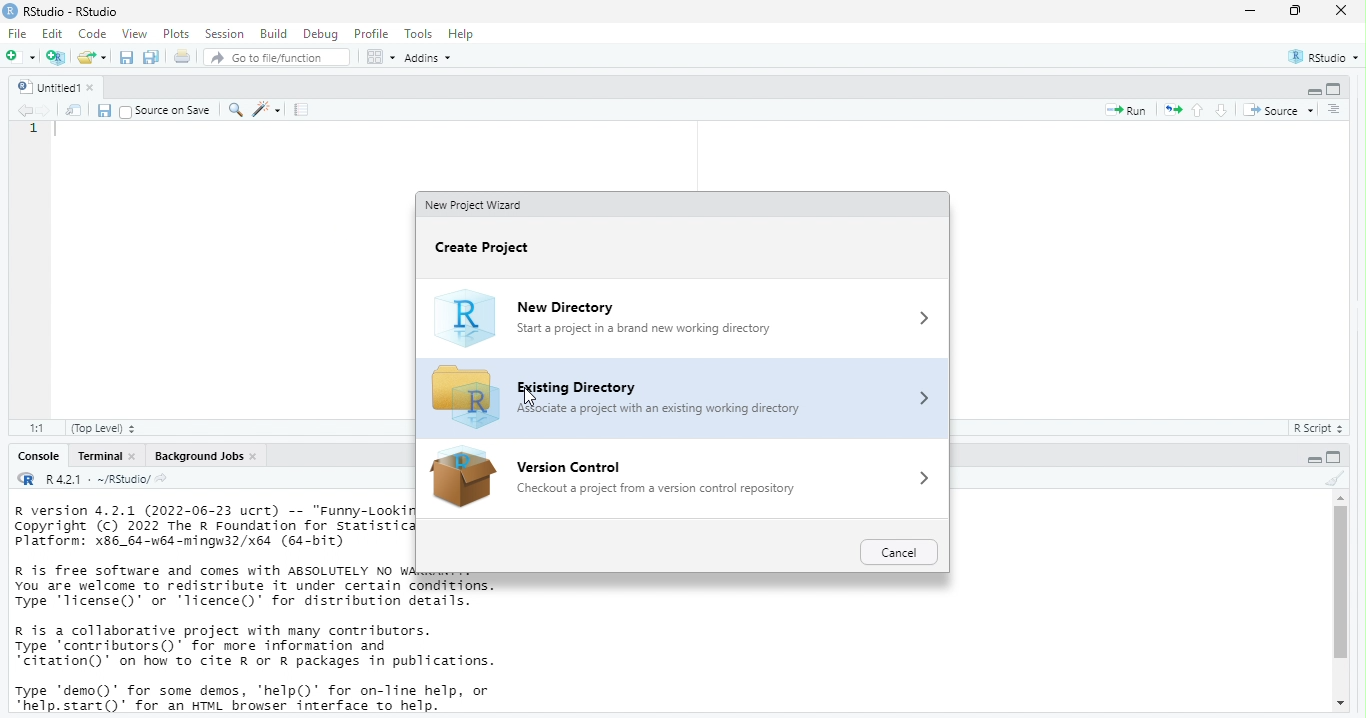  I want to click on workspace panes, so click(379, 56).